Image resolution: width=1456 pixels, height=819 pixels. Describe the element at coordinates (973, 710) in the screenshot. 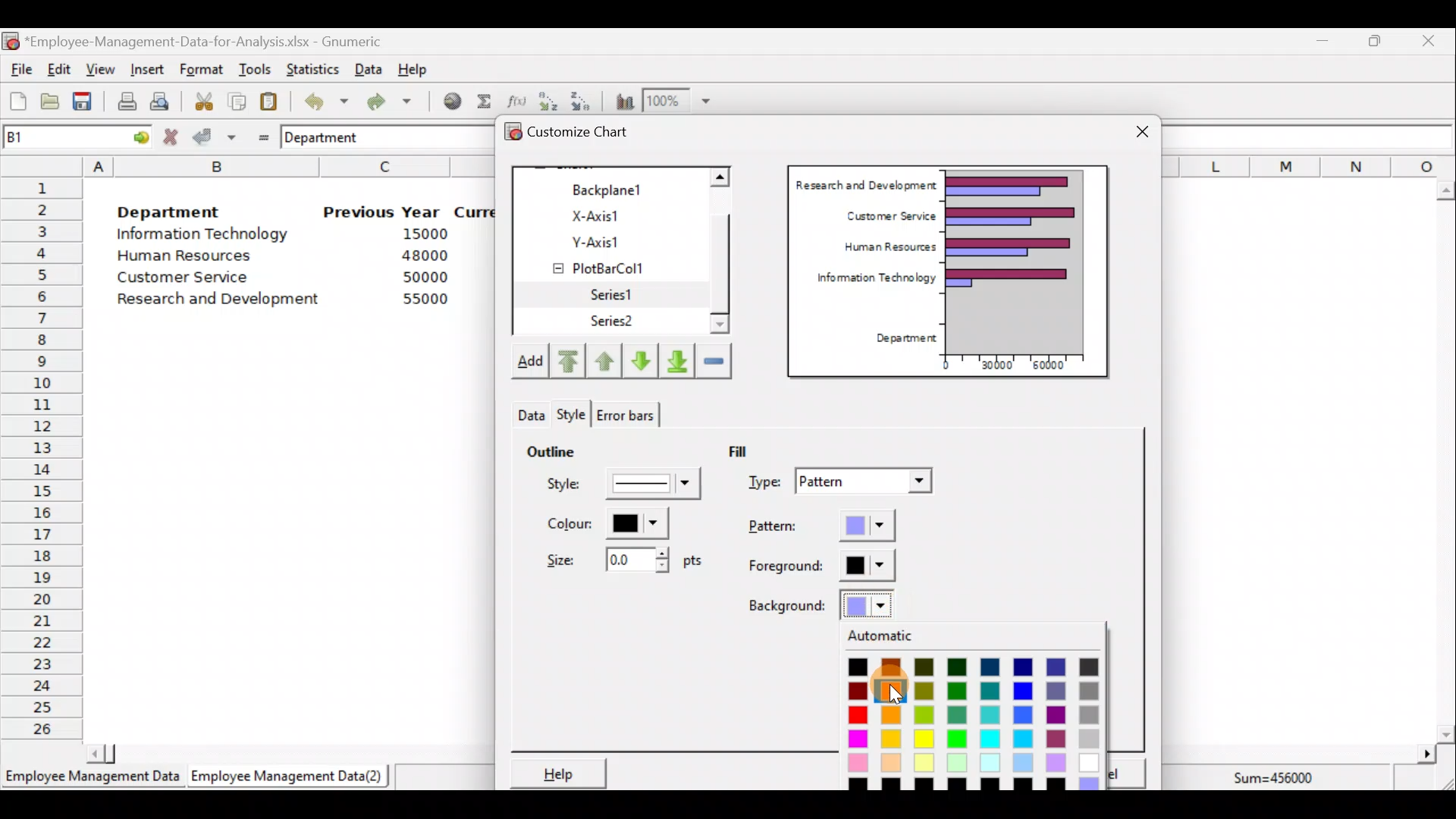

I see `Color palette` at that location.